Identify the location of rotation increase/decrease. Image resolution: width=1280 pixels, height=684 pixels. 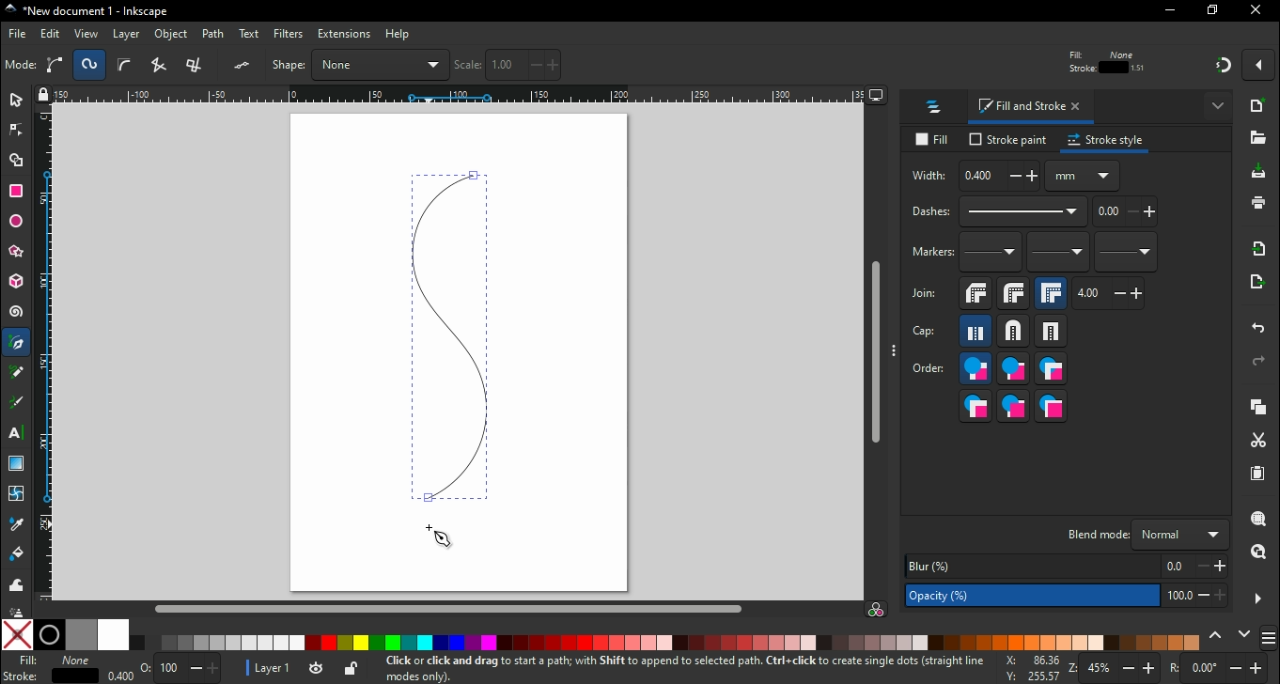
(1222, 669).